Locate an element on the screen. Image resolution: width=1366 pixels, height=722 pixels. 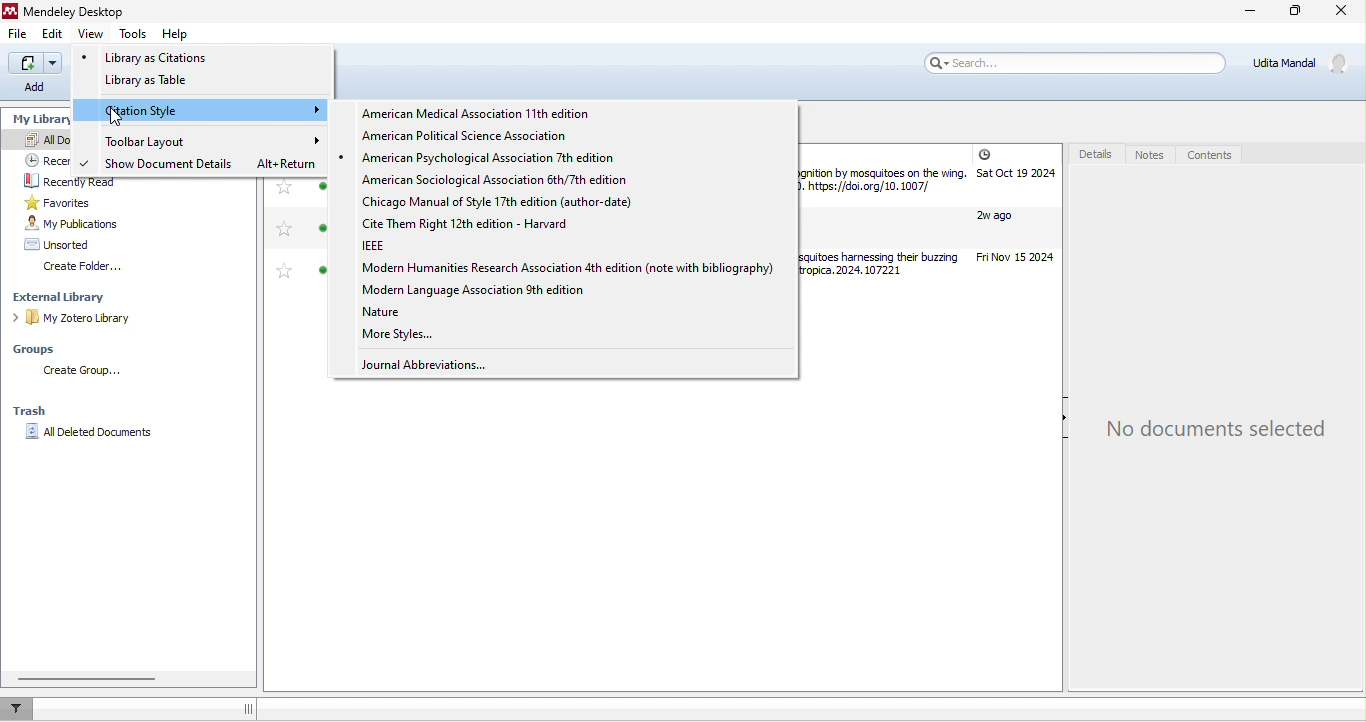
details is located at coordinates (1093, 156).